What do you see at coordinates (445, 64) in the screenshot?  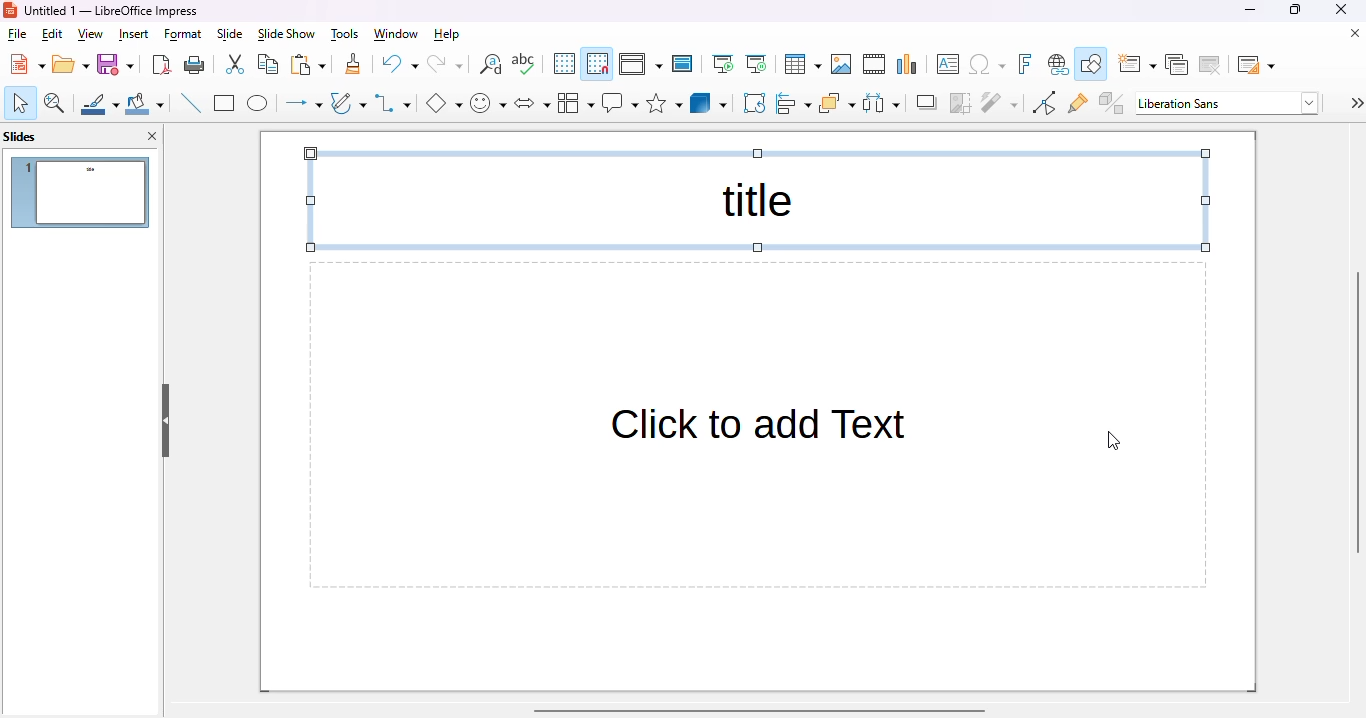 I see `redo` at bounding box center [445, 64].